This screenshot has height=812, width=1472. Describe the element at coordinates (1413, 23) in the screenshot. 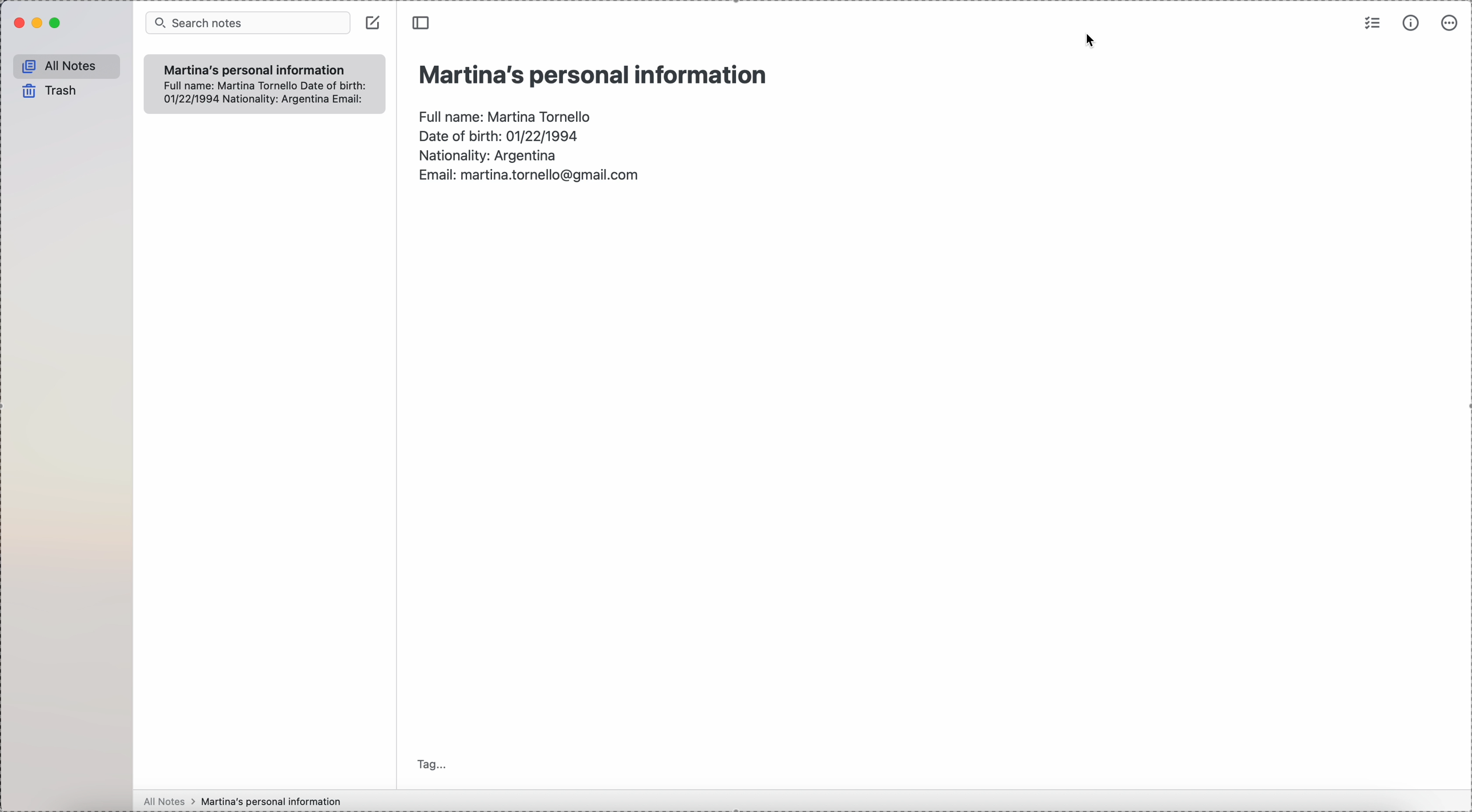

I see `metrics` at that location.